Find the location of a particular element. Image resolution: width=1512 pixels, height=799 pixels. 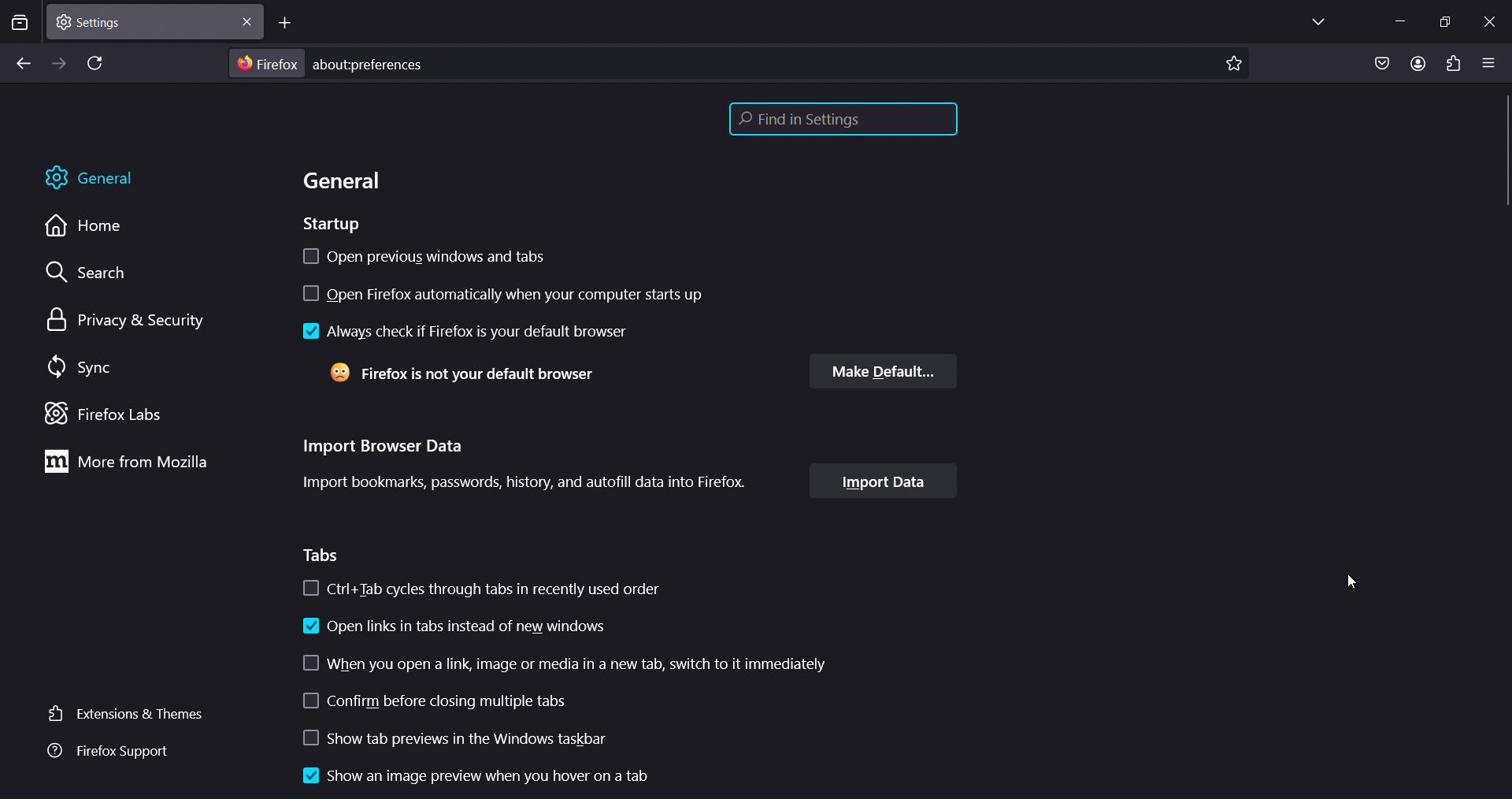

tabs is located at coordinates (323, 556).